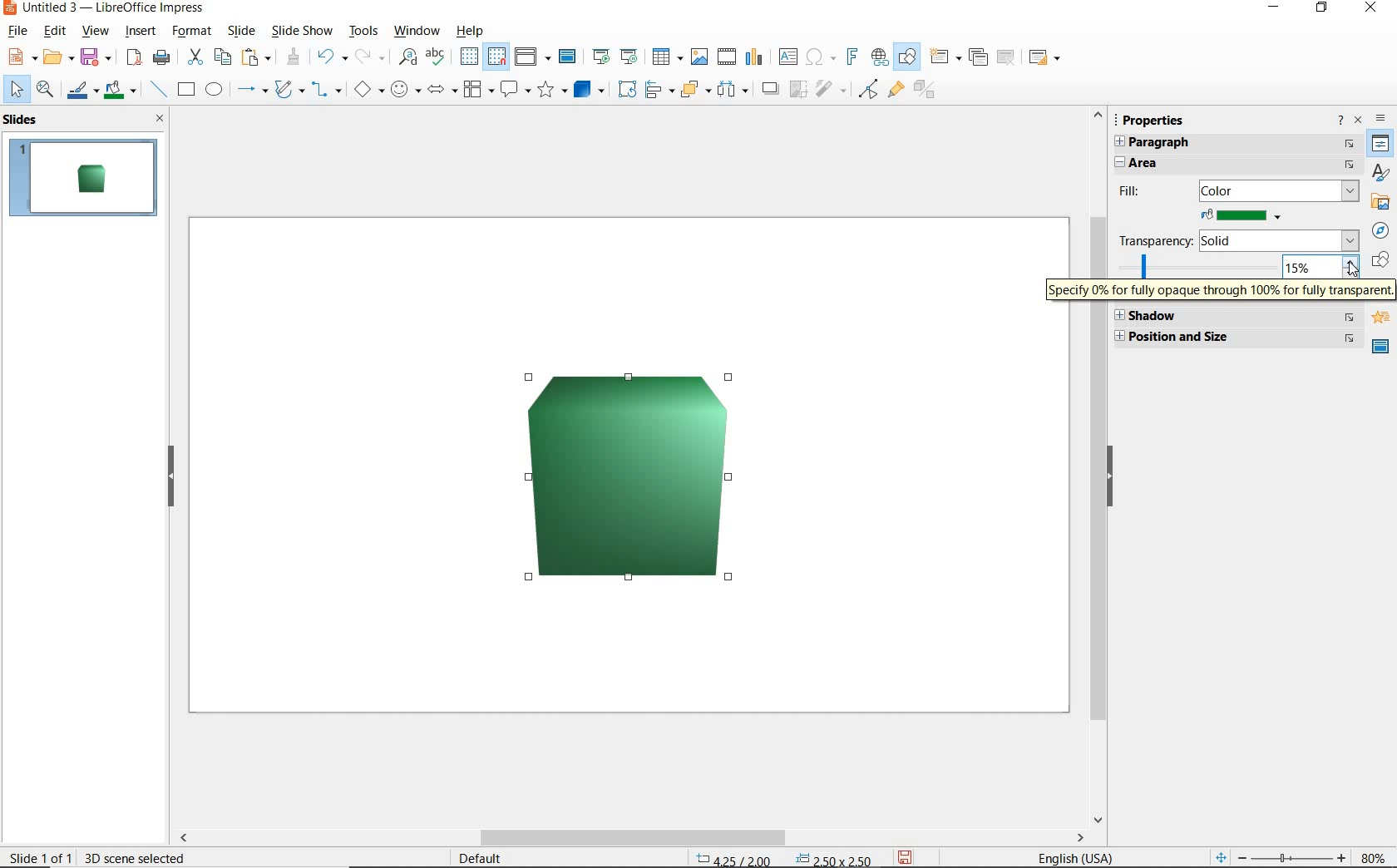 Image resolution: width=1397 pixels, height=868 pixels. I want to click on display grid, so click(468, 57).